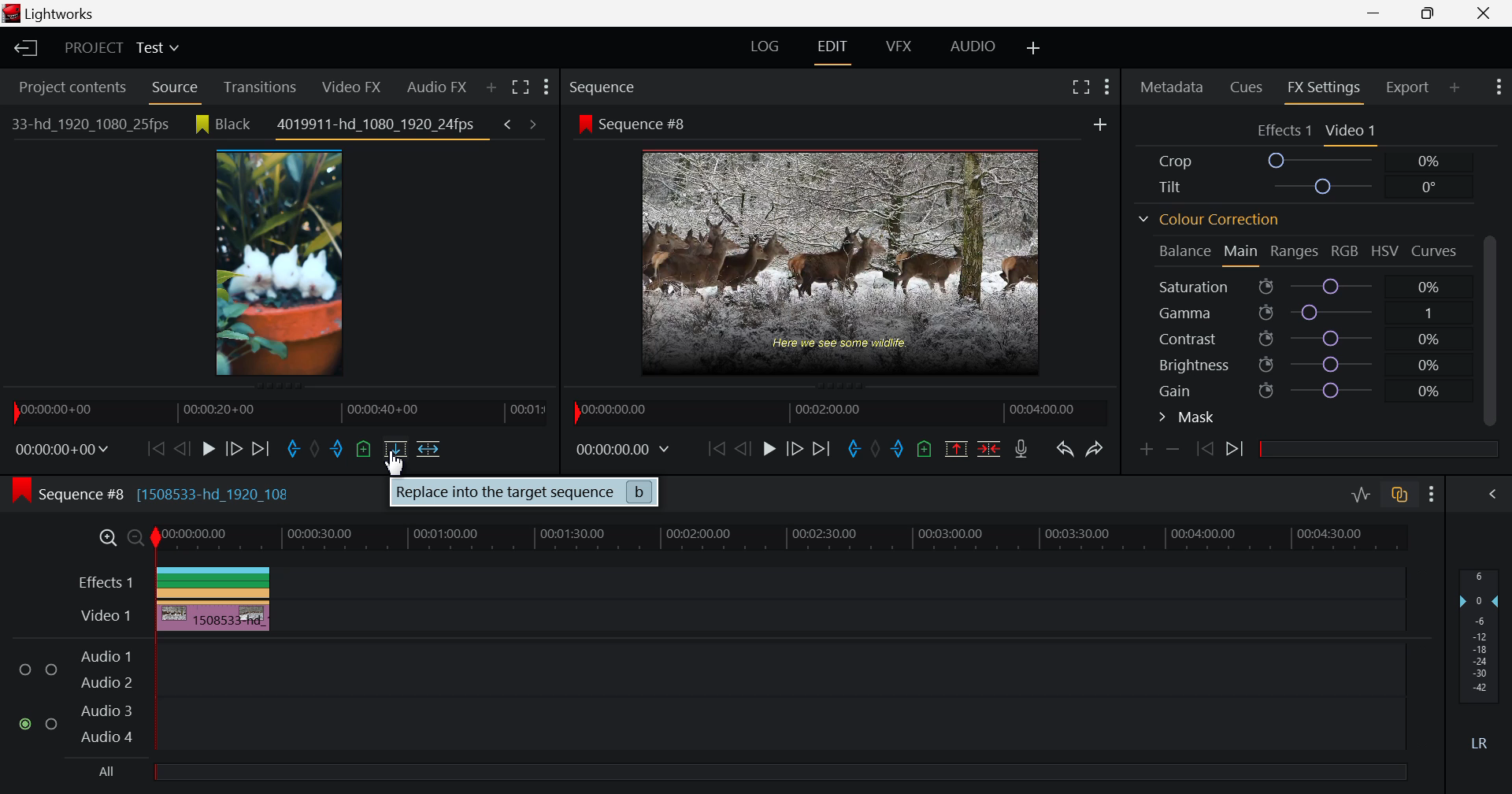  What do you see at coordinates (522, 123) in the screenshot?
I see `Previous & next ` at bounding box center [522, 123].